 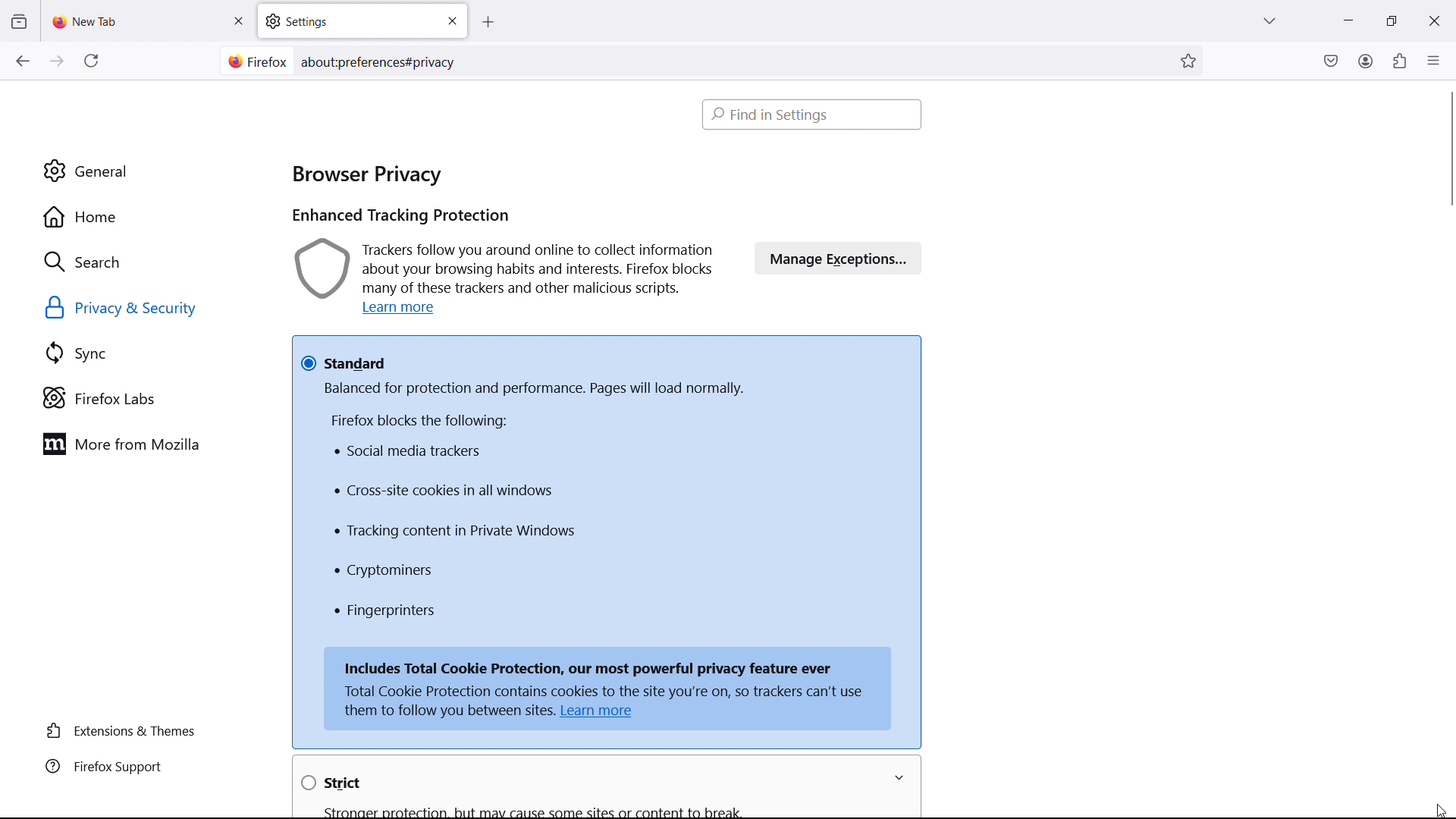 I want to click on browser privacy, so click(x=366, y=171).